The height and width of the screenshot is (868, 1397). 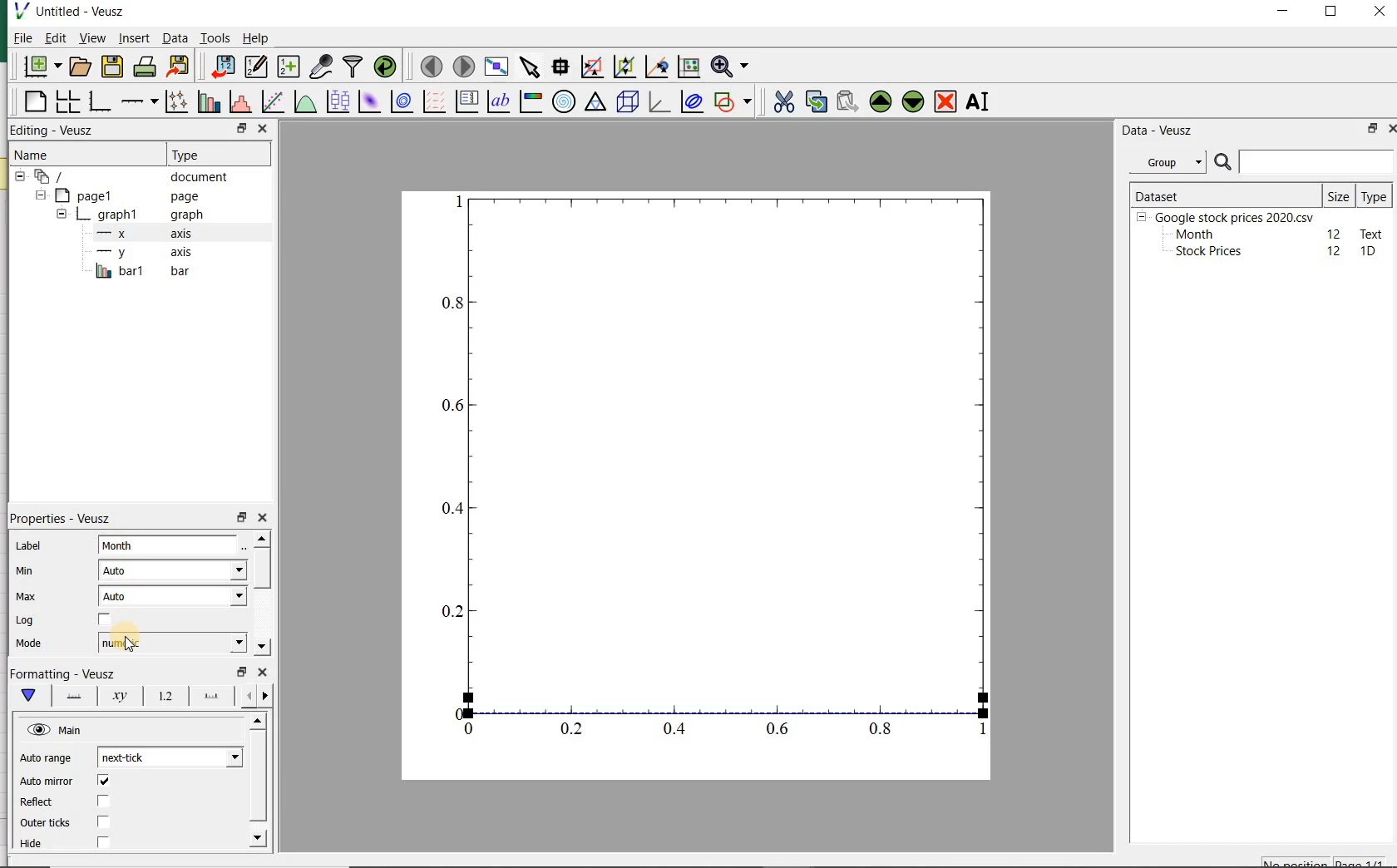 What do you see at coordinates (215, 38) in the screenshot?
I see `Tools` at bounding box center [215, 38].